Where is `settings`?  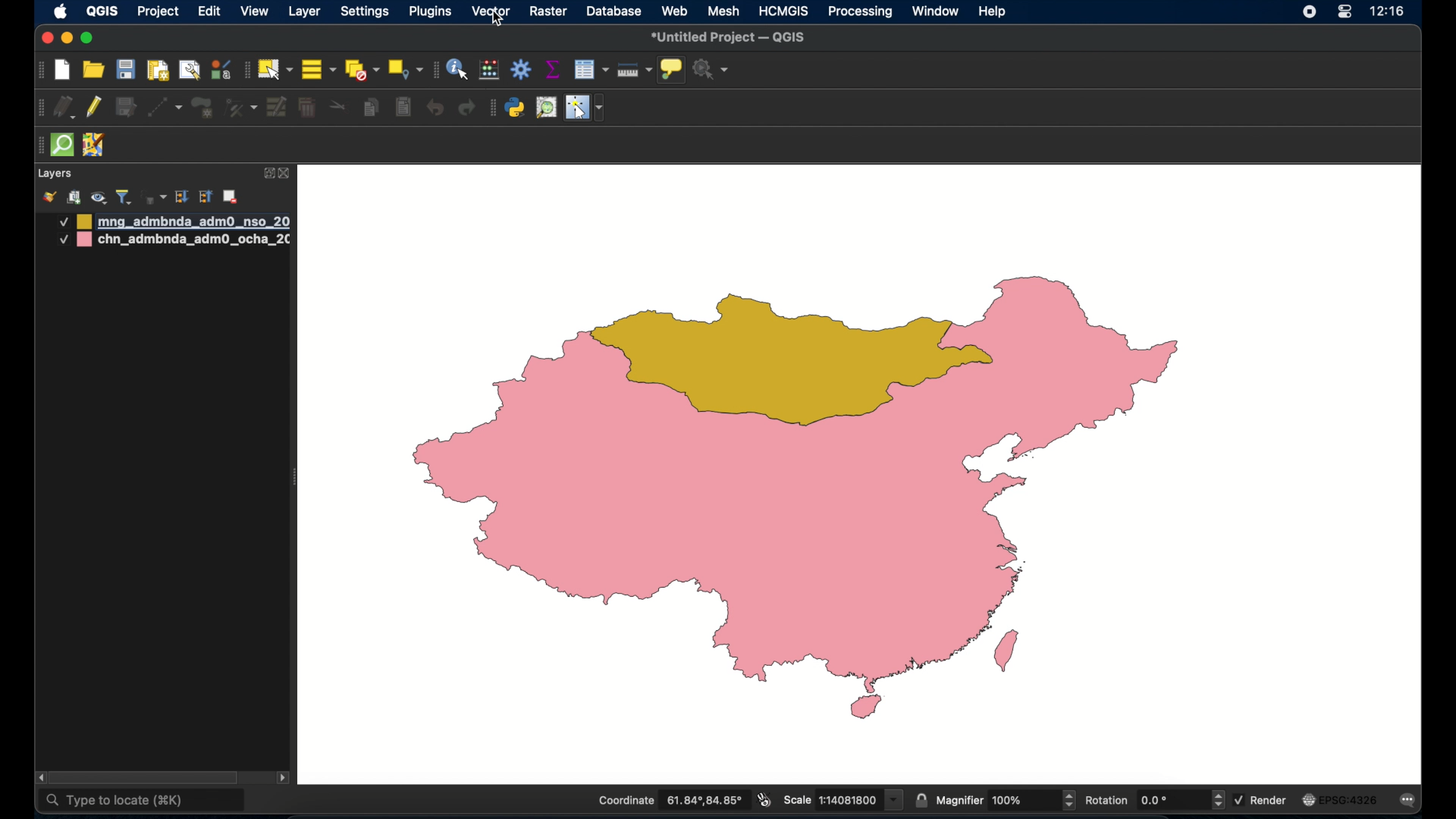 settings is located at coordinates (366, 13).